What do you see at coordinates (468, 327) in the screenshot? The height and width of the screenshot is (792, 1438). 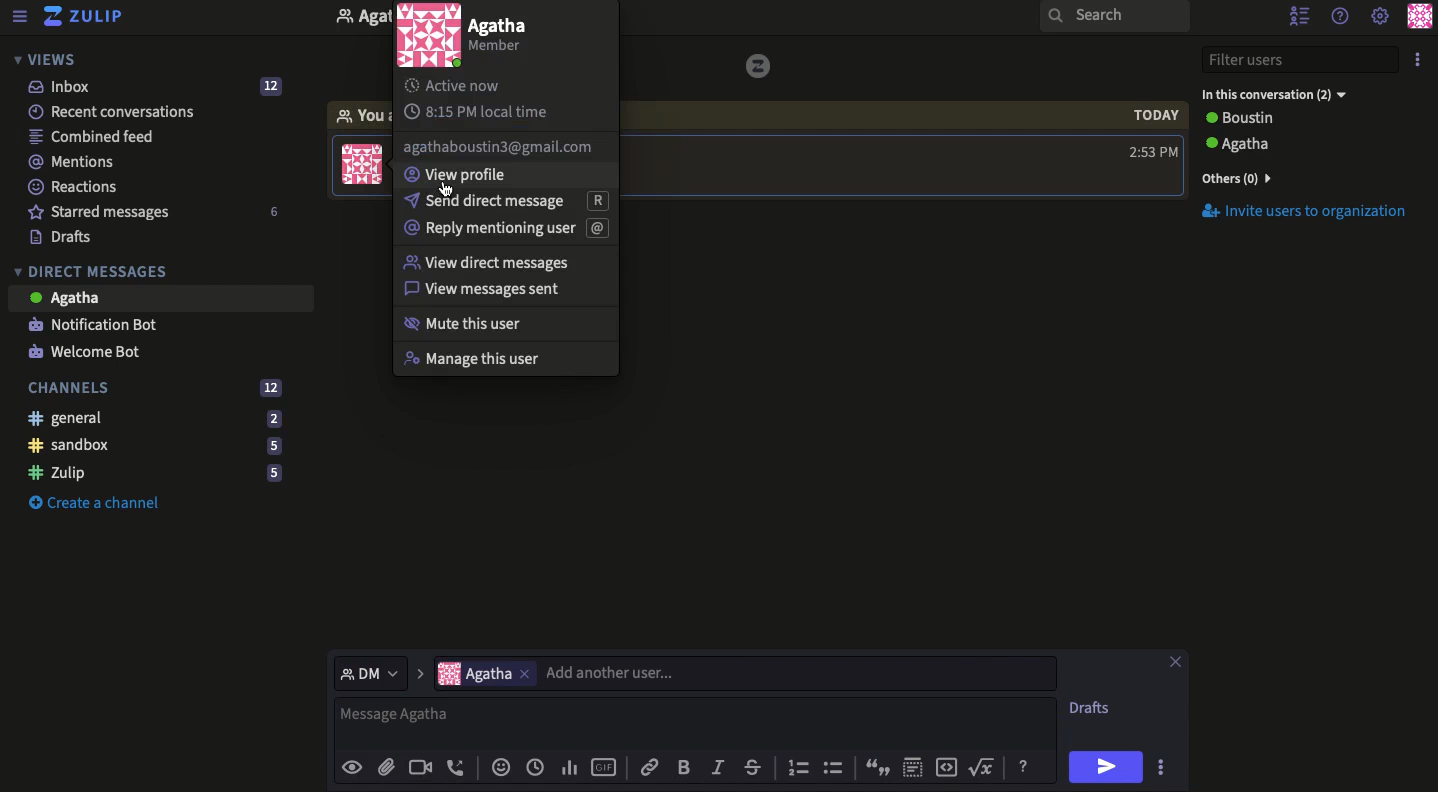 I see `Mute` at bounding box center [468, 327].